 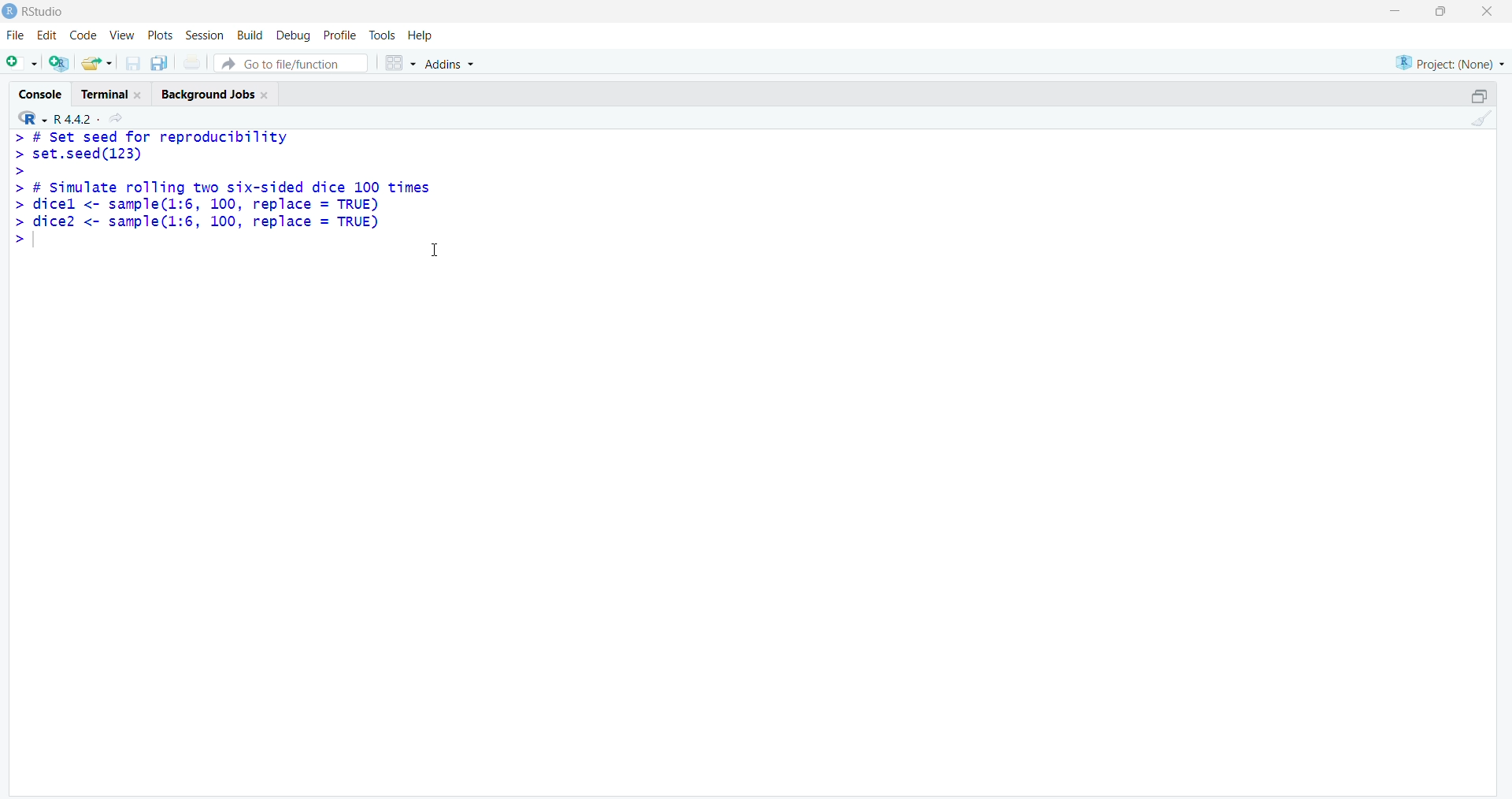 What do you see at coordinates (77, 120) in the screenshot?
I see `R 4.4.2` at bounding box center [77, 120].